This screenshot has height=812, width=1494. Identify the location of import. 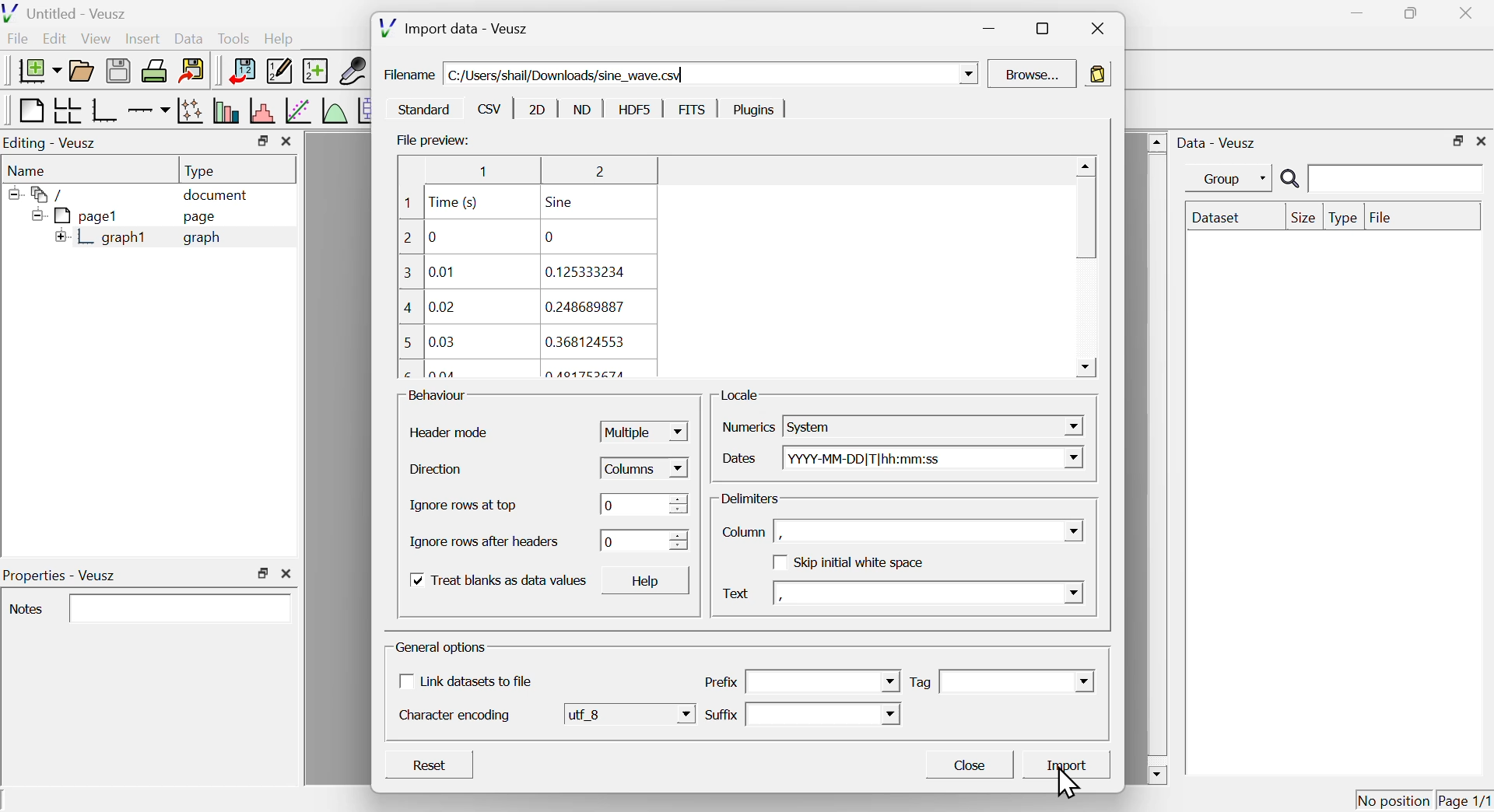
(1070, 764).